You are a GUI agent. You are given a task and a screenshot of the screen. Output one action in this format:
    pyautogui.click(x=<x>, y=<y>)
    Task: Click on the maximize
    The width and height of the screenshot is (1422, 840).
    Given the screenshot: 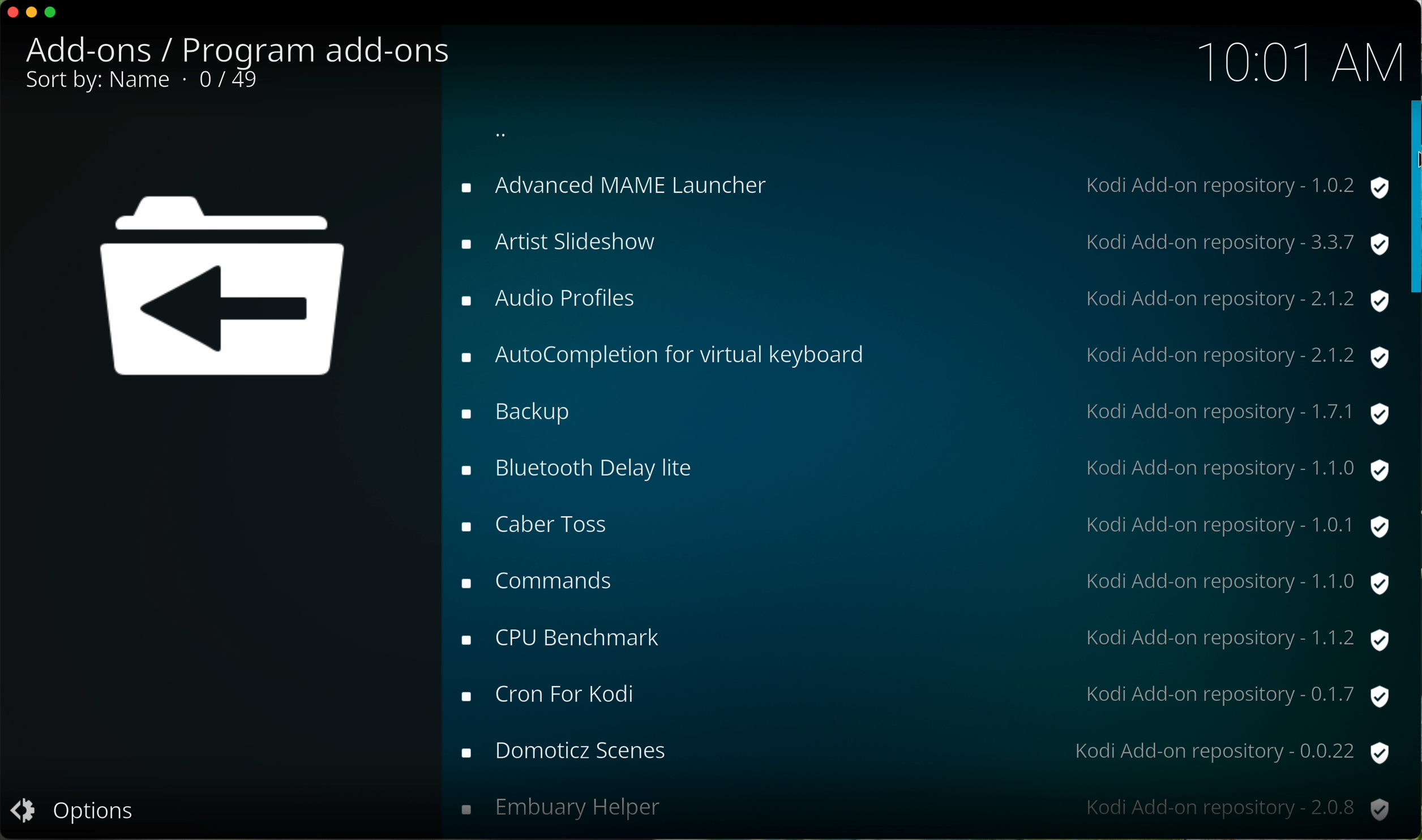 What is the action you would take?
    pyautogui.click(x=52, y=14)
    